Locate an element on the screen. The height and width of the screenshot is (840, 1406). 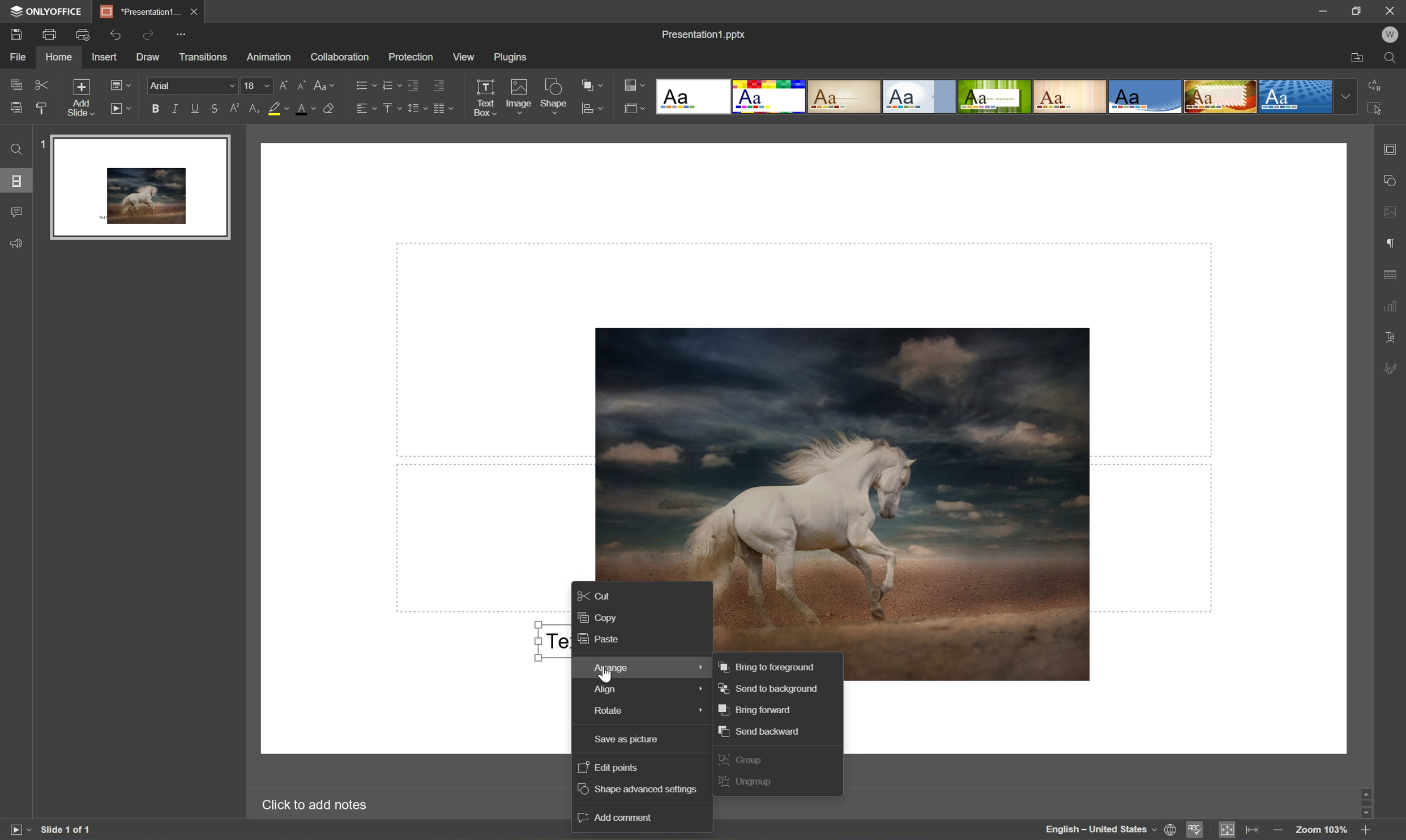
ONLYOFFICE is located at coordinates (49, 11).